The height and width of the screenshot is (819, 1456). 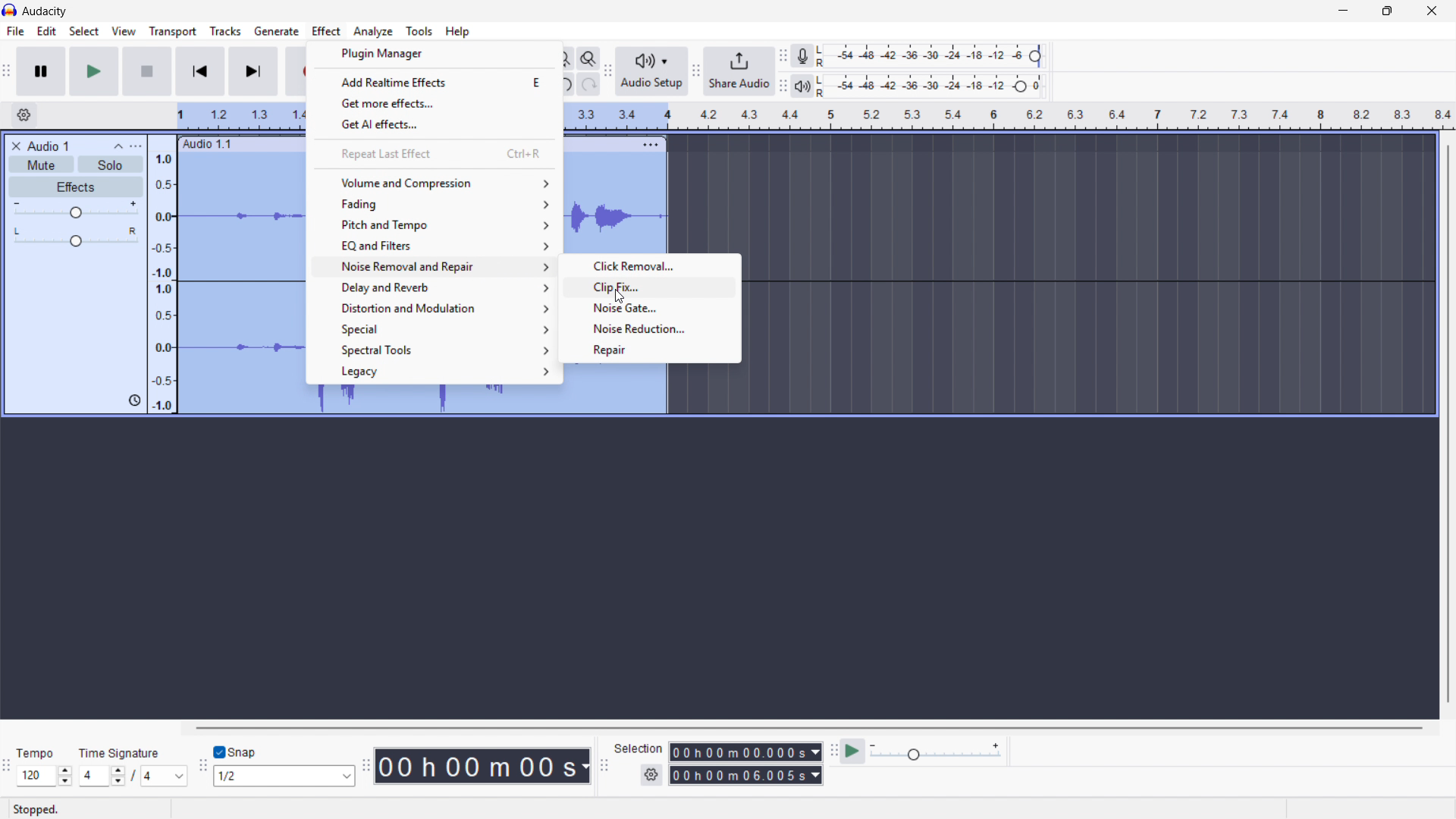 What do you see at coordinates (739, 71) in the screenshot?
I see `Share audio` at bounding box center [739, 71].